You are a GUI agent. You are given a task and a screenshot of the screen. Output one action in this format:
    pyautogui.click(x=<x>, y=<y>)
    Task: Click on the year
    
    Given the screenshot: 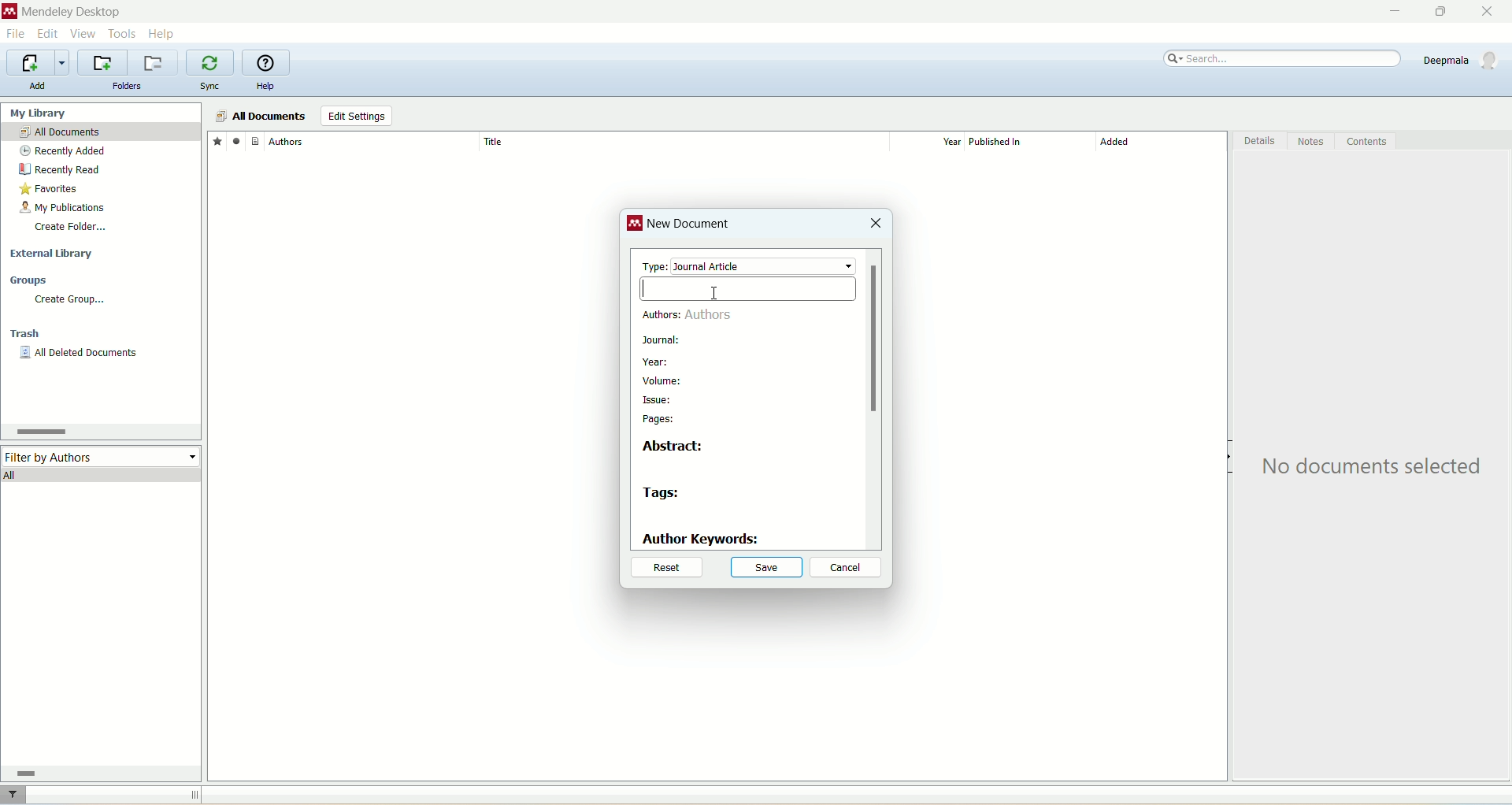 What is the action you would take?
    pyautogui.click(x=655, y=363)
    